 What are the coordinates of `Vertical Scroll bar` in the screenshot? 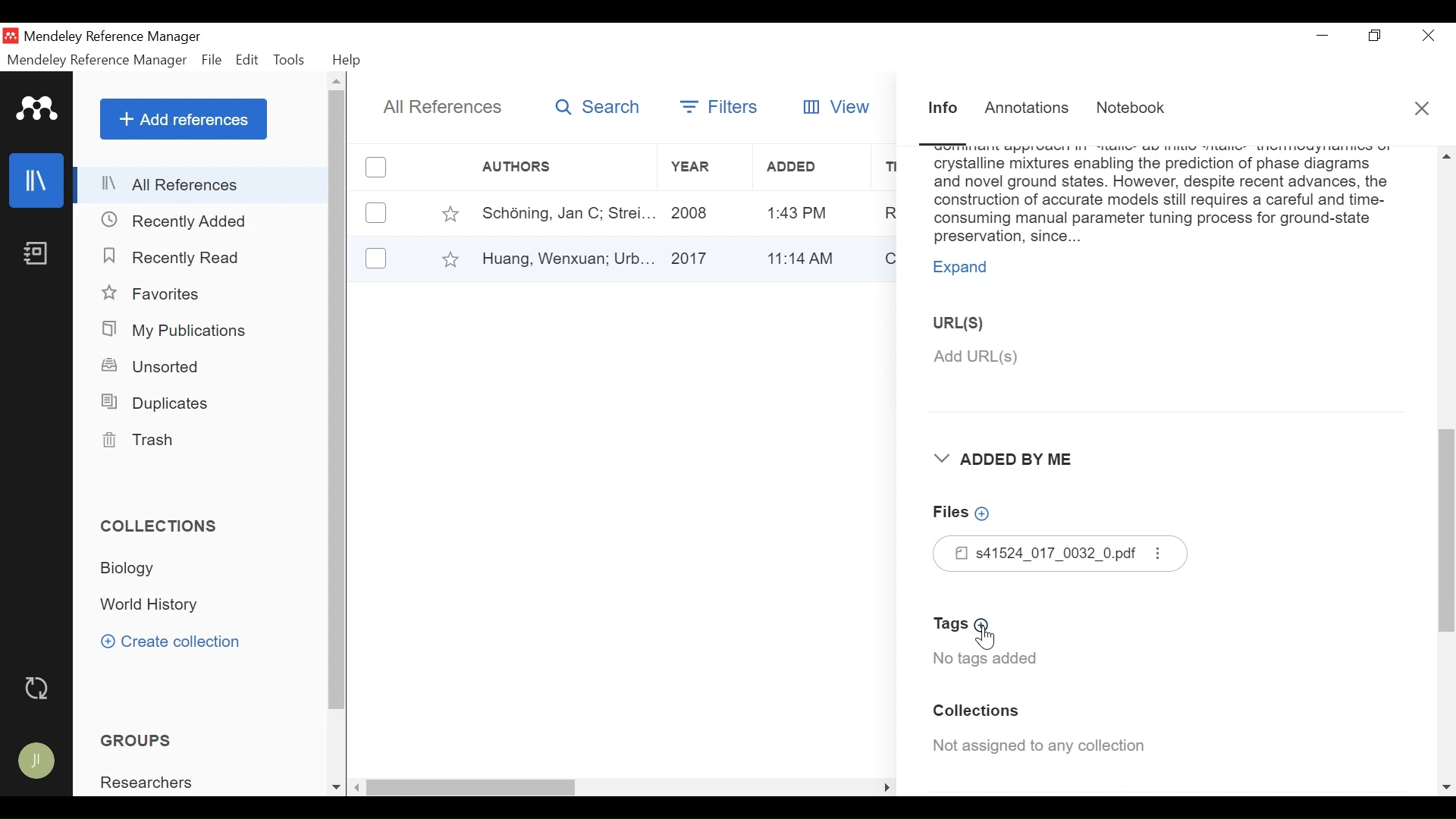 It's located at (474, 789).